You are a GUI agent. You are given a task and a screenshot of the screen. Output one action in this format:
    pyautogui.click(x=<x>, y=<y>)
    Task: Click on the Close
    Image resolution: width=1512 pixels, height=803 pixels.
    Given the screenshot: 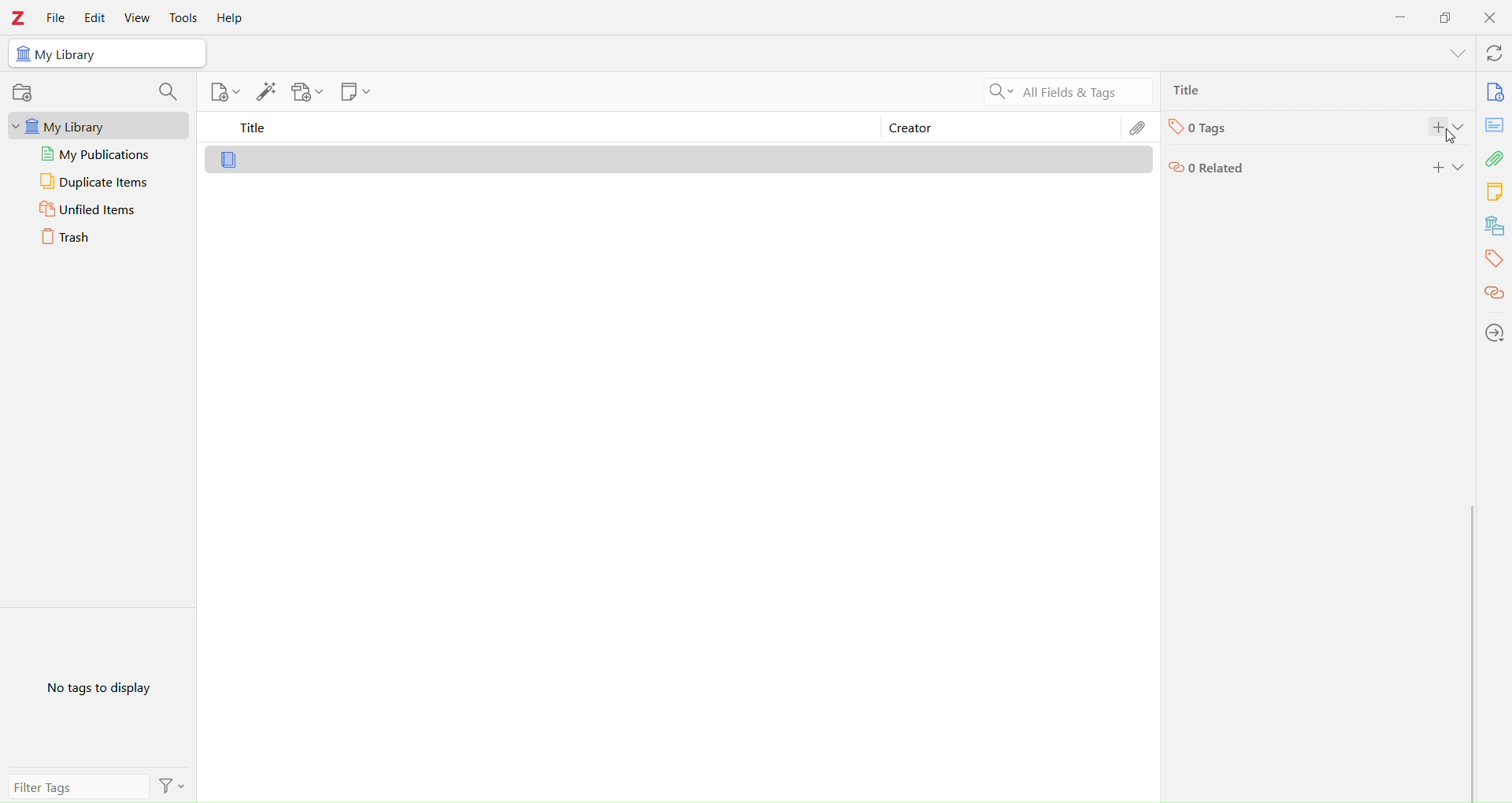 What is the action you would take?
    pyautogui.click(x=1491, y=17)
    